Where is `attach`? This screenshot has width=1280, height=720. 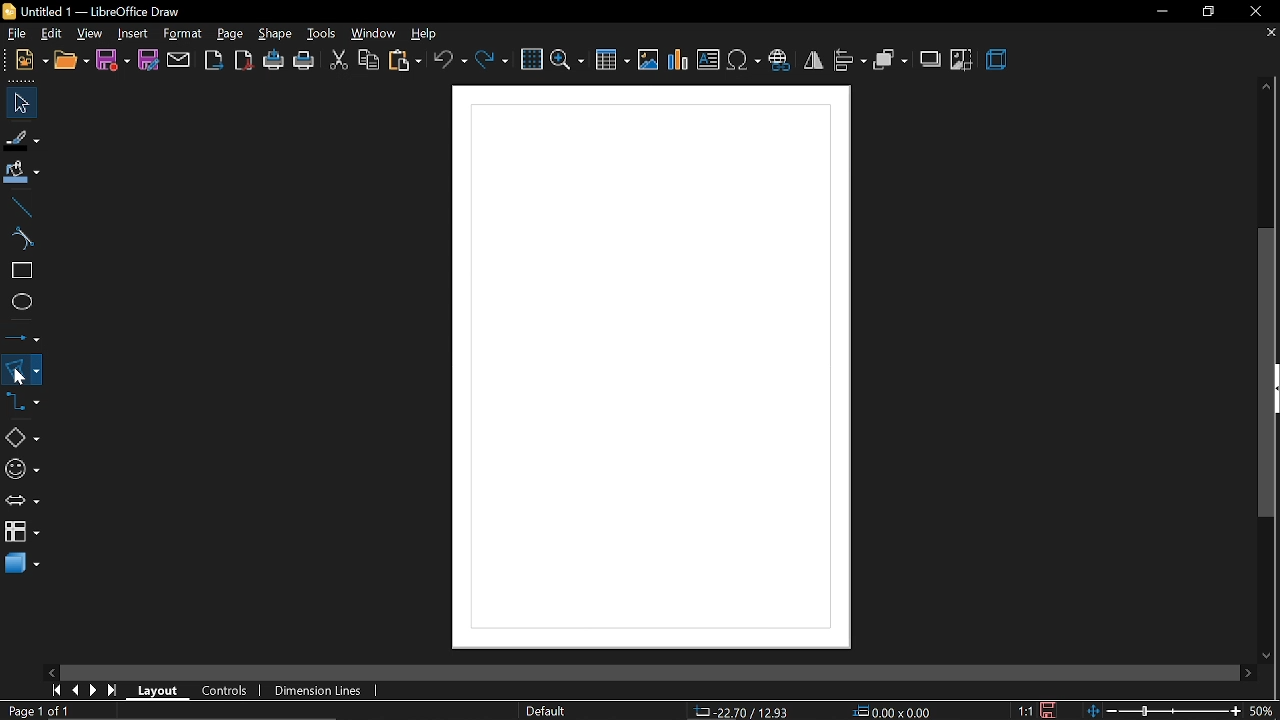 attach is located at coordinates (178, 60).